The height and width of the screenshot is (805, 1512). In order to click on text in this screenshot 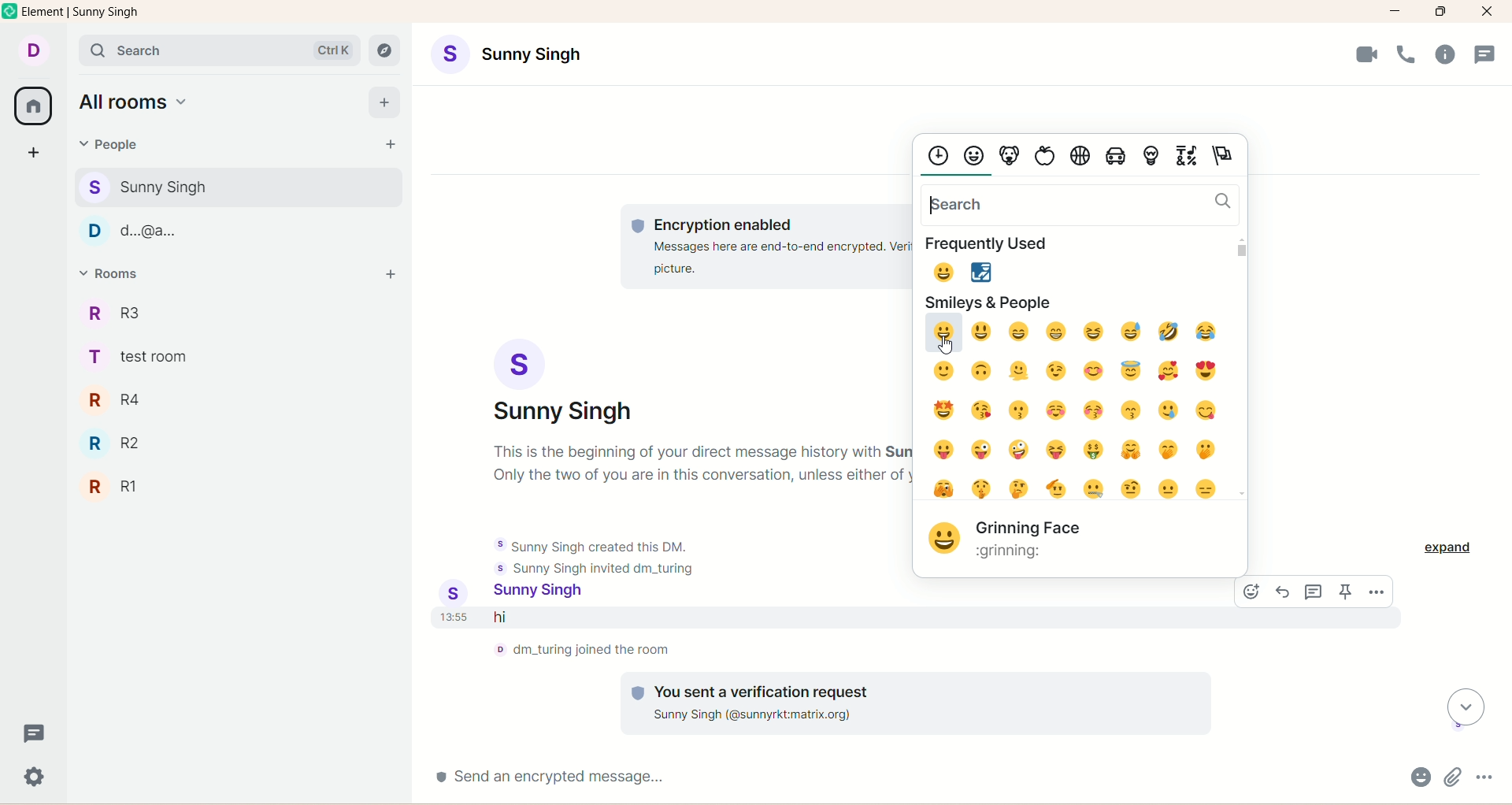, I will do `click(701, 464)`.